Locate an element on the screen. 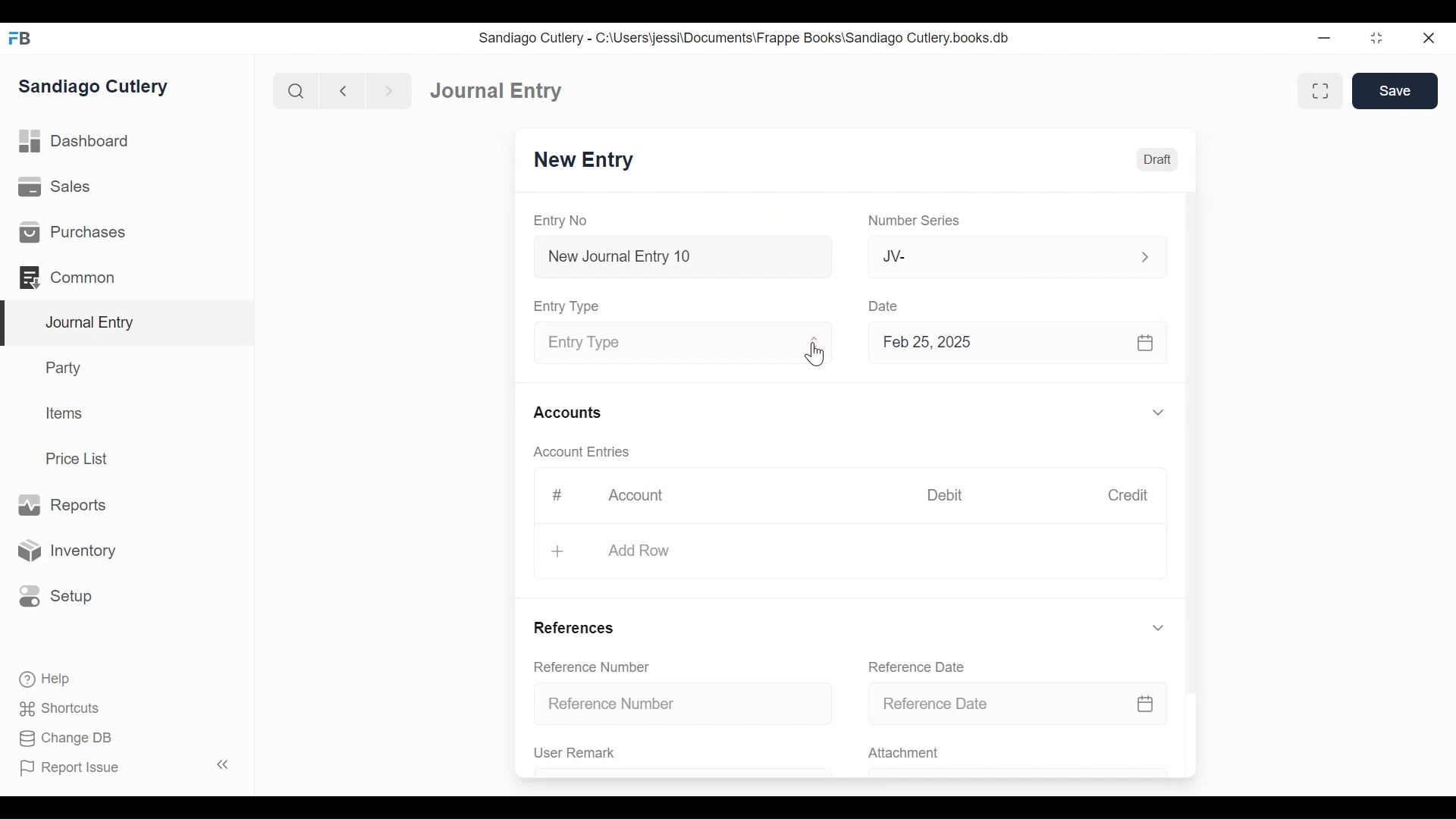  Feb 25, 2025 is located at coordinates (1019, 346).